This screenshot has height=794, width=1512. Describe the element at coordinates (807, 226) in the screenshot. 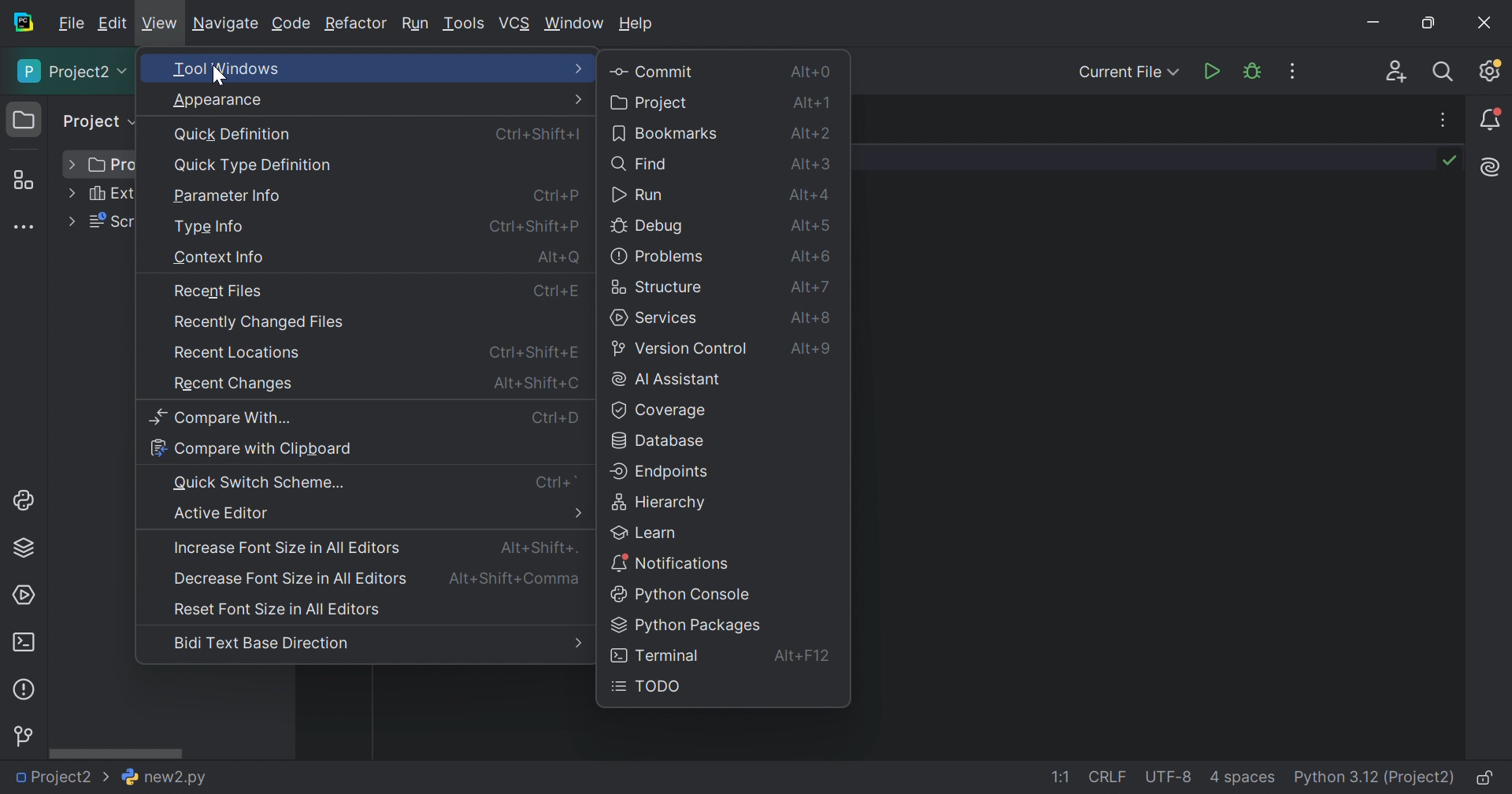

I see `Alt+5` at that location.